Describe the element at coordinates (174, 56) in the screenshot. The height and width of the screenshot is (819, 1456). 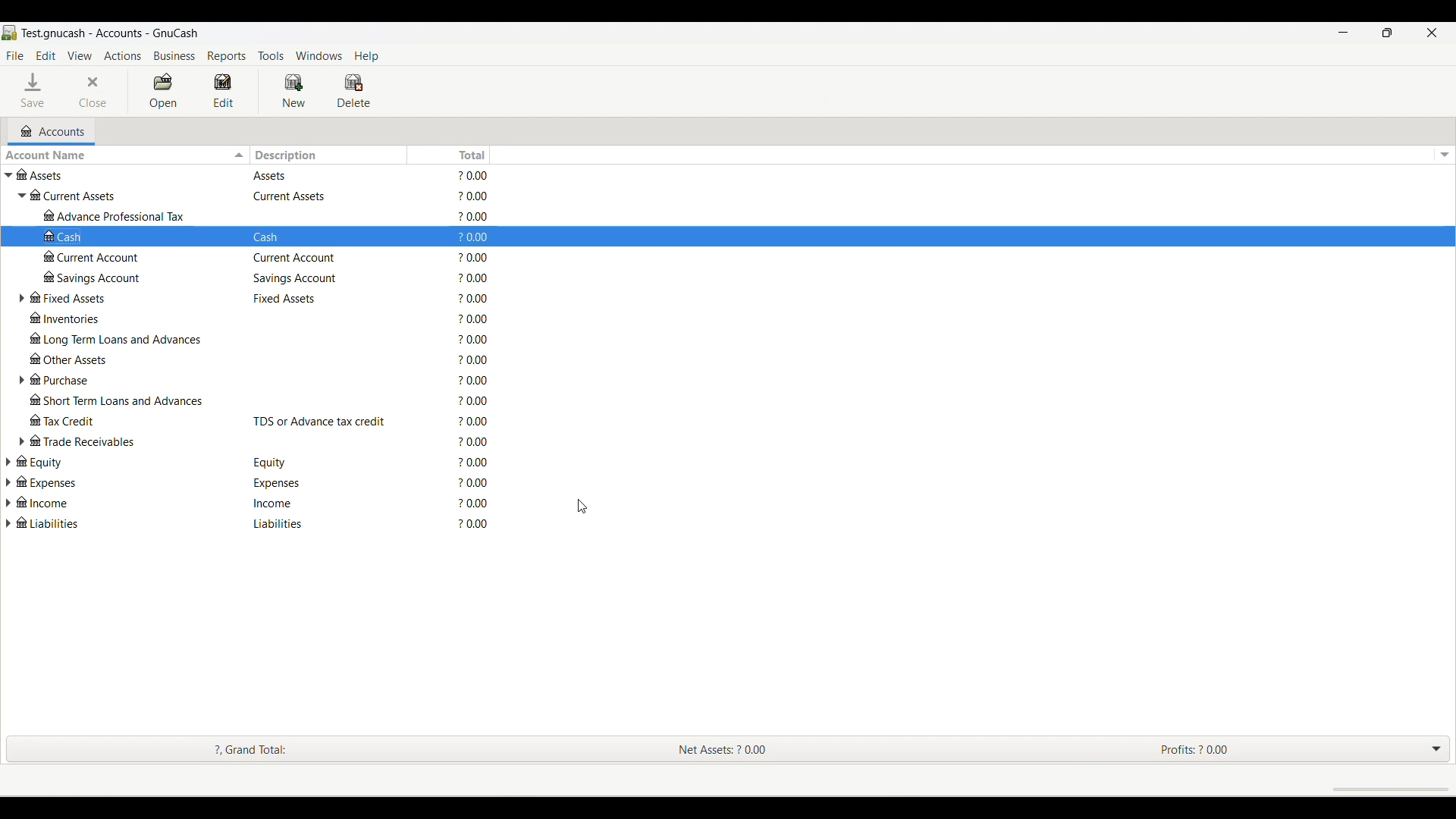
I see `Business` at that location.